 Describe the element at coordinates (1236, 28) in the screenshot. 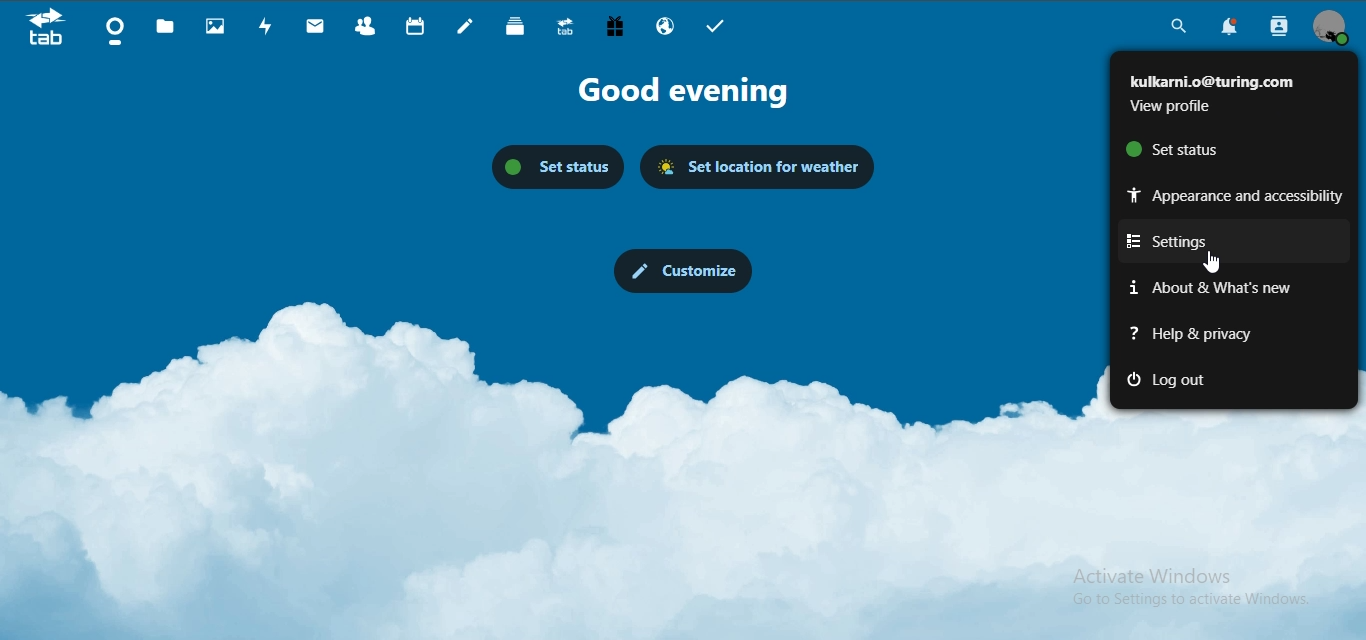

I see `notifications` at that location.